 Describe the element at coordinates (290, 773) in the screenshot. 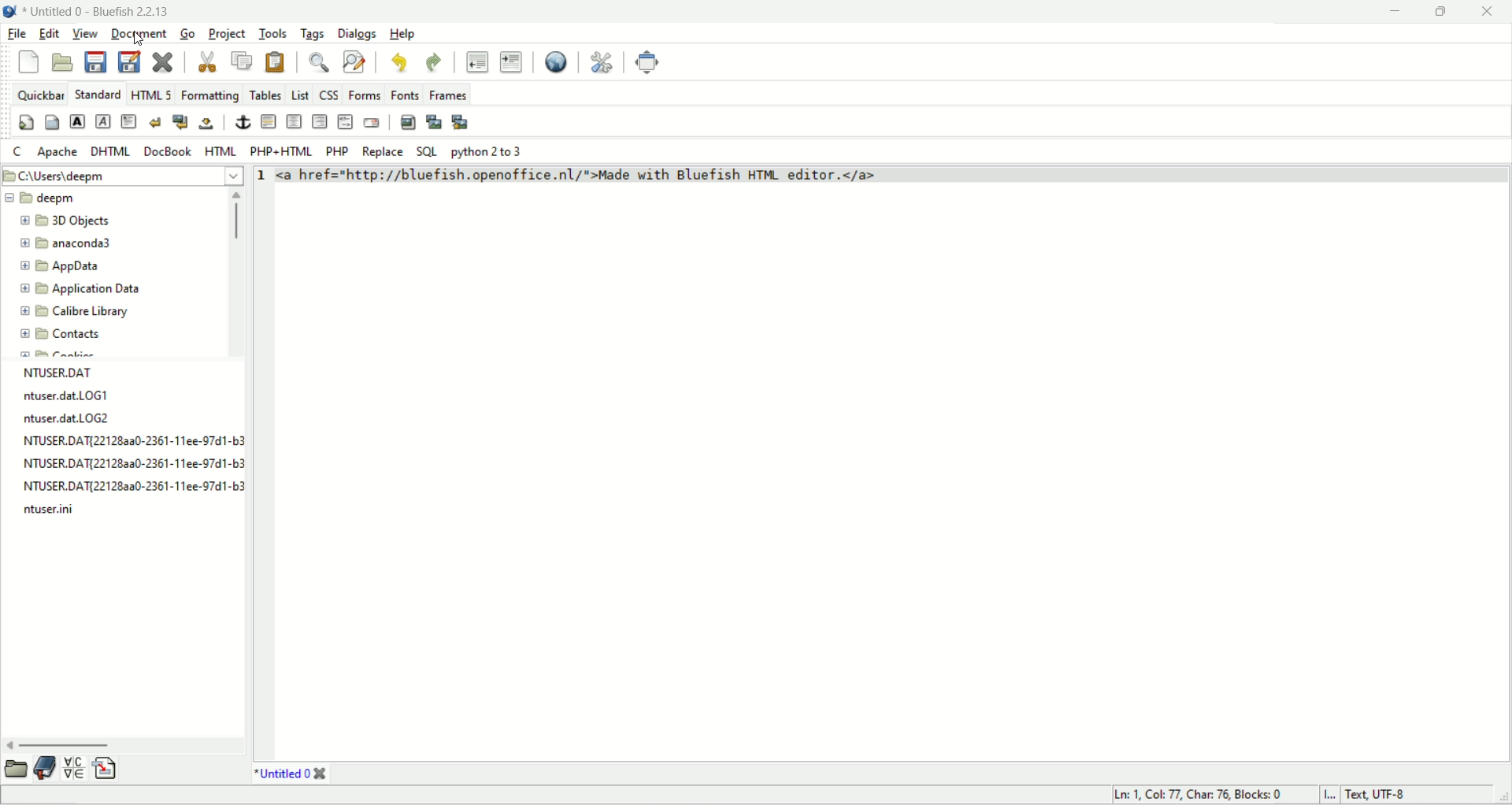

I see `untitled` at that location.